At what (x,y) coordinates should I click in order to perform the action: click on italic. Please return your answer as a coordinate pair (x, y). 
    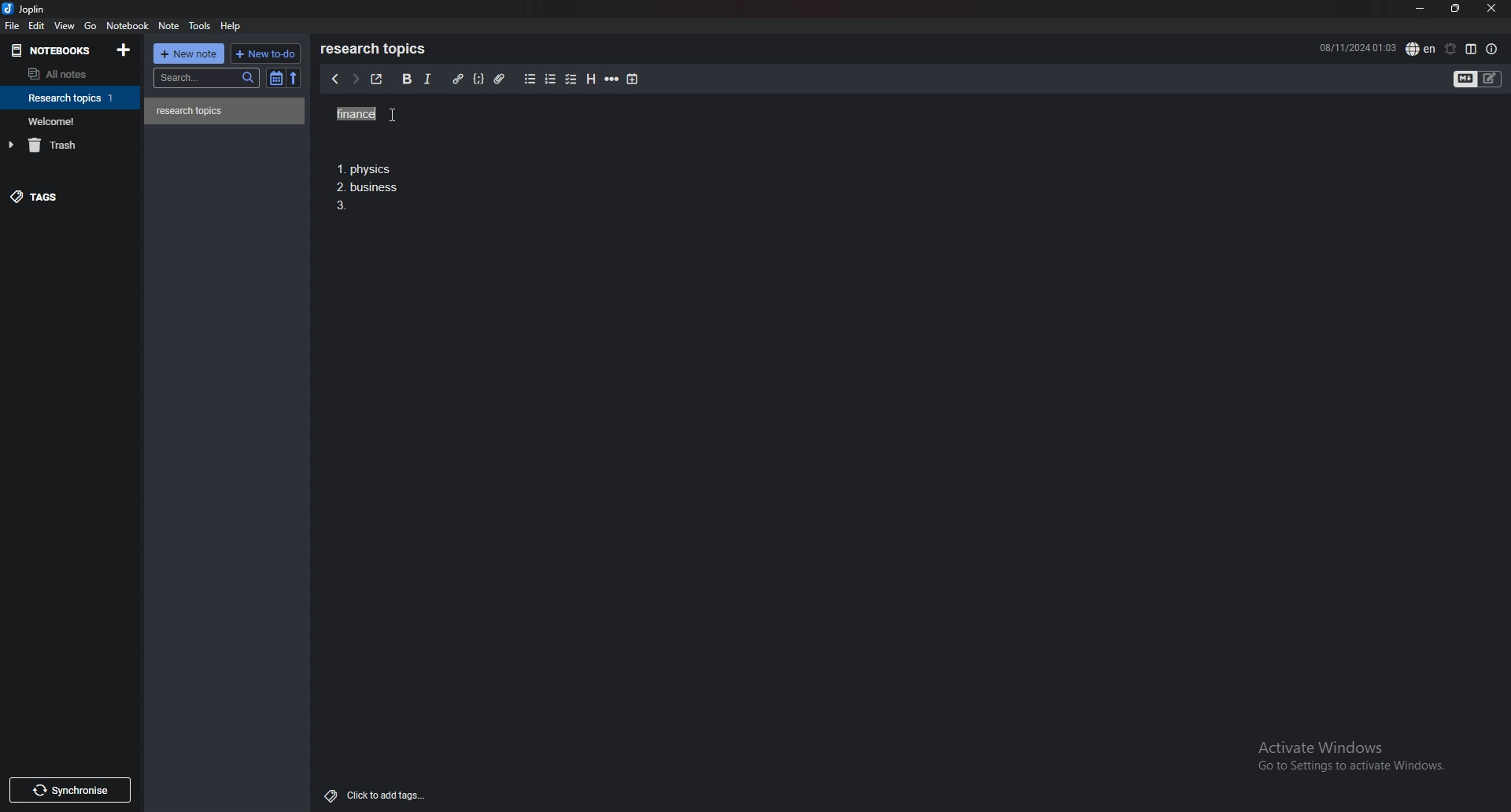
    Looking at the image, I should click on (427, 79).